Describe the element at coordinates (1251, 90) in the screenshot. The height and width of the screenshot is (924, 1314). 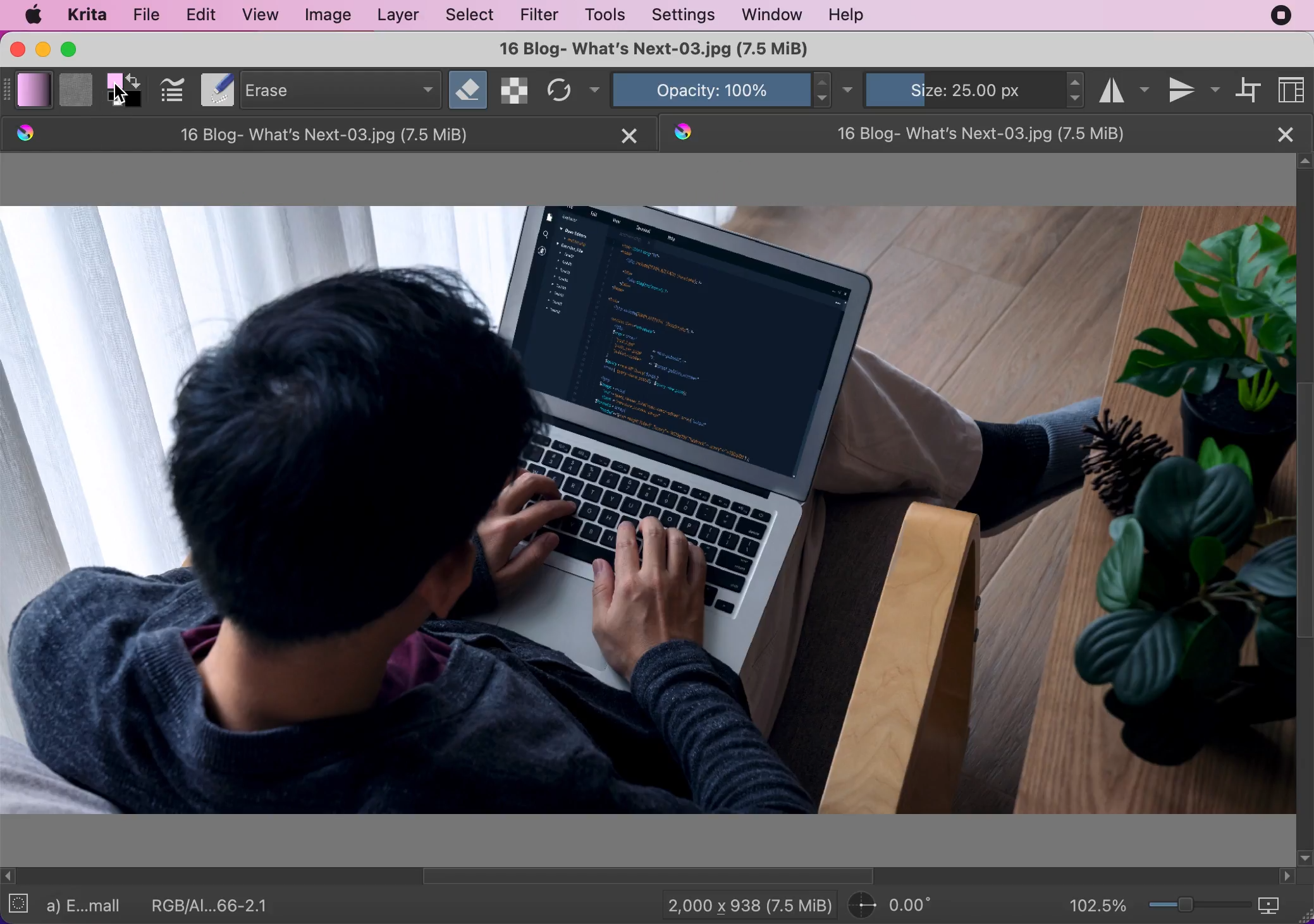
I see `wrap around mode` at that location.